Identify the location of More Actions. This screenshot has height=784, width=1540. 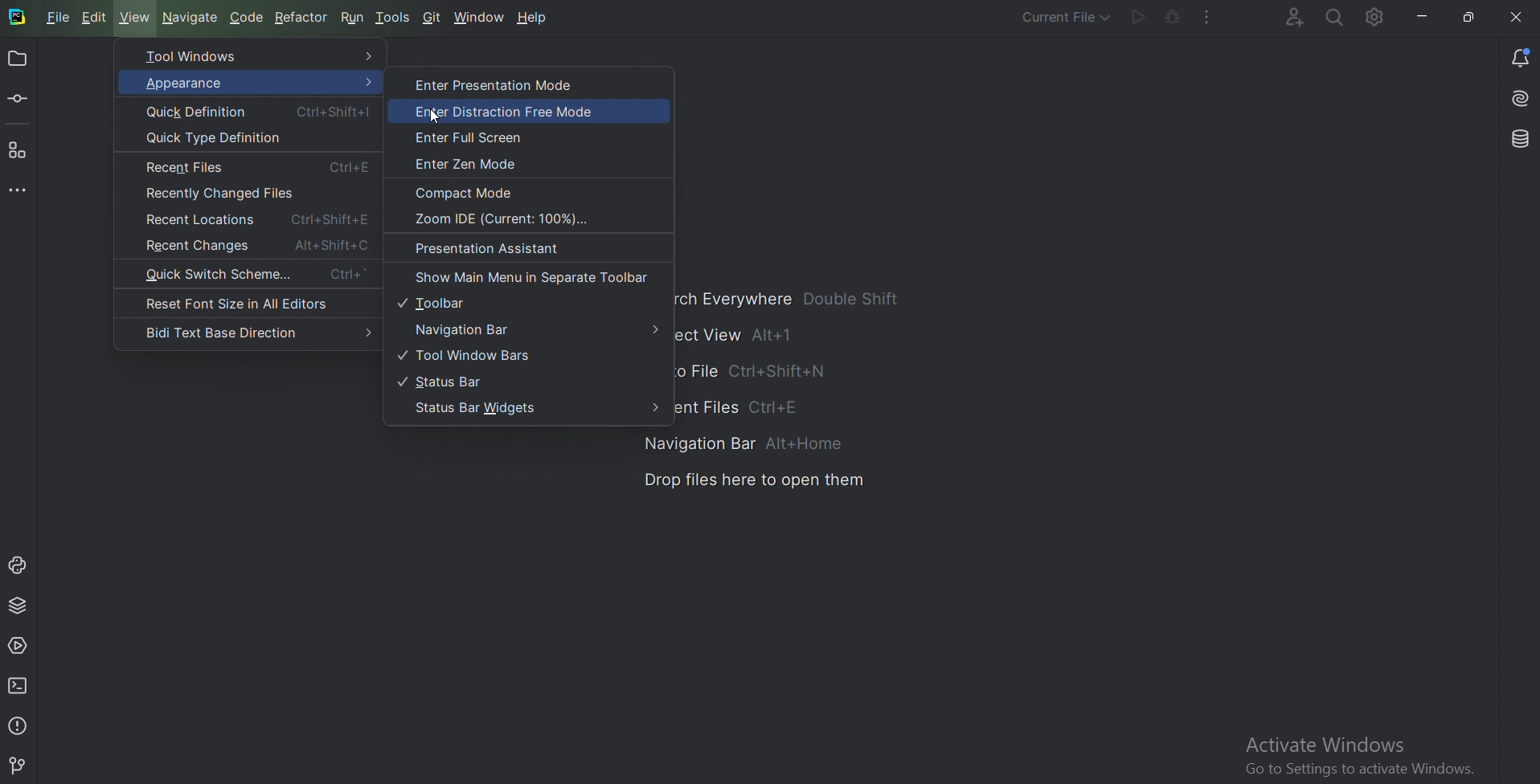
(1207, 17).